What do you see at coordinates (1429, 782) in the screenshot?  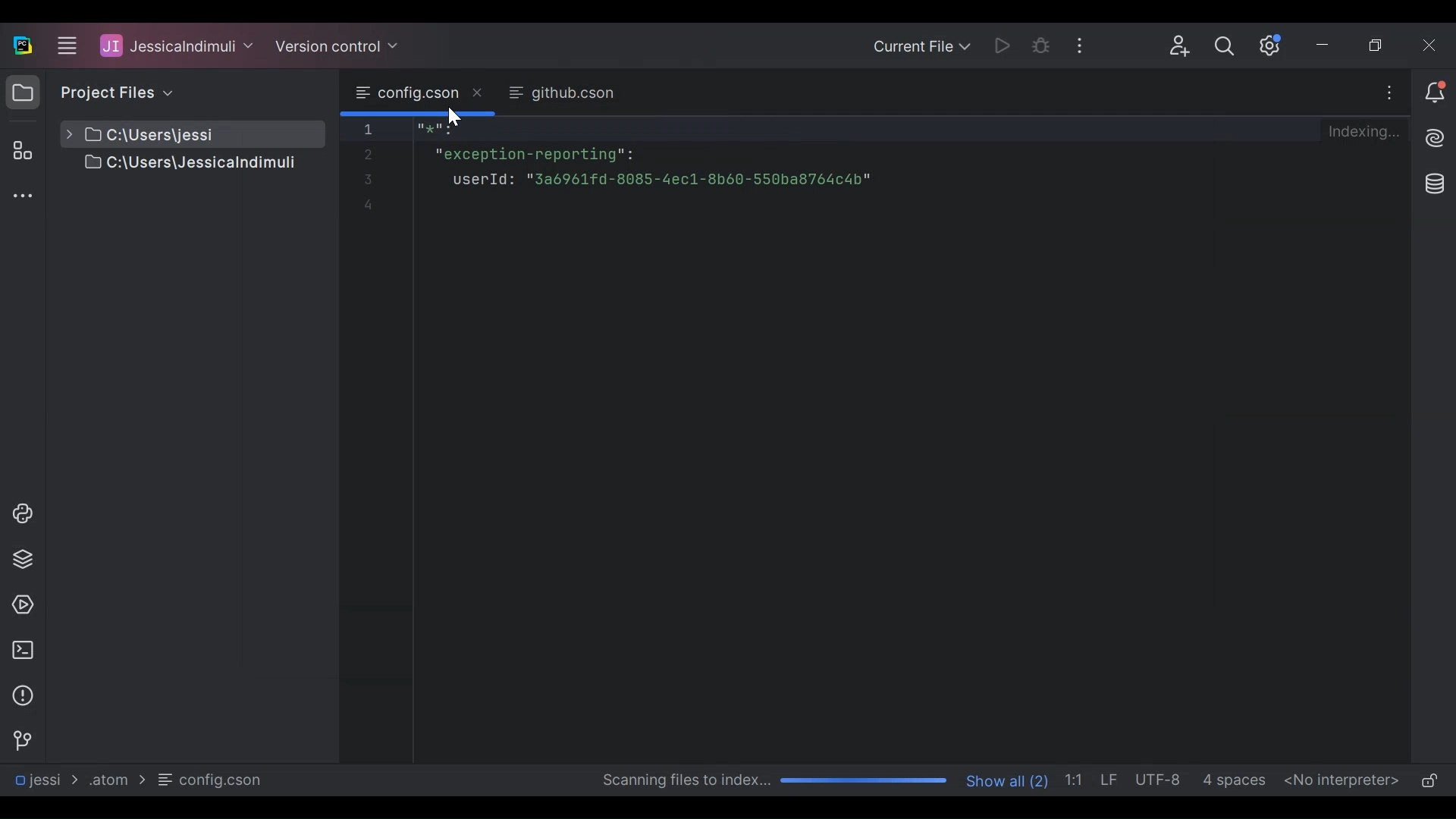 I see `(un)lock` at bounding box center [1429, 782].